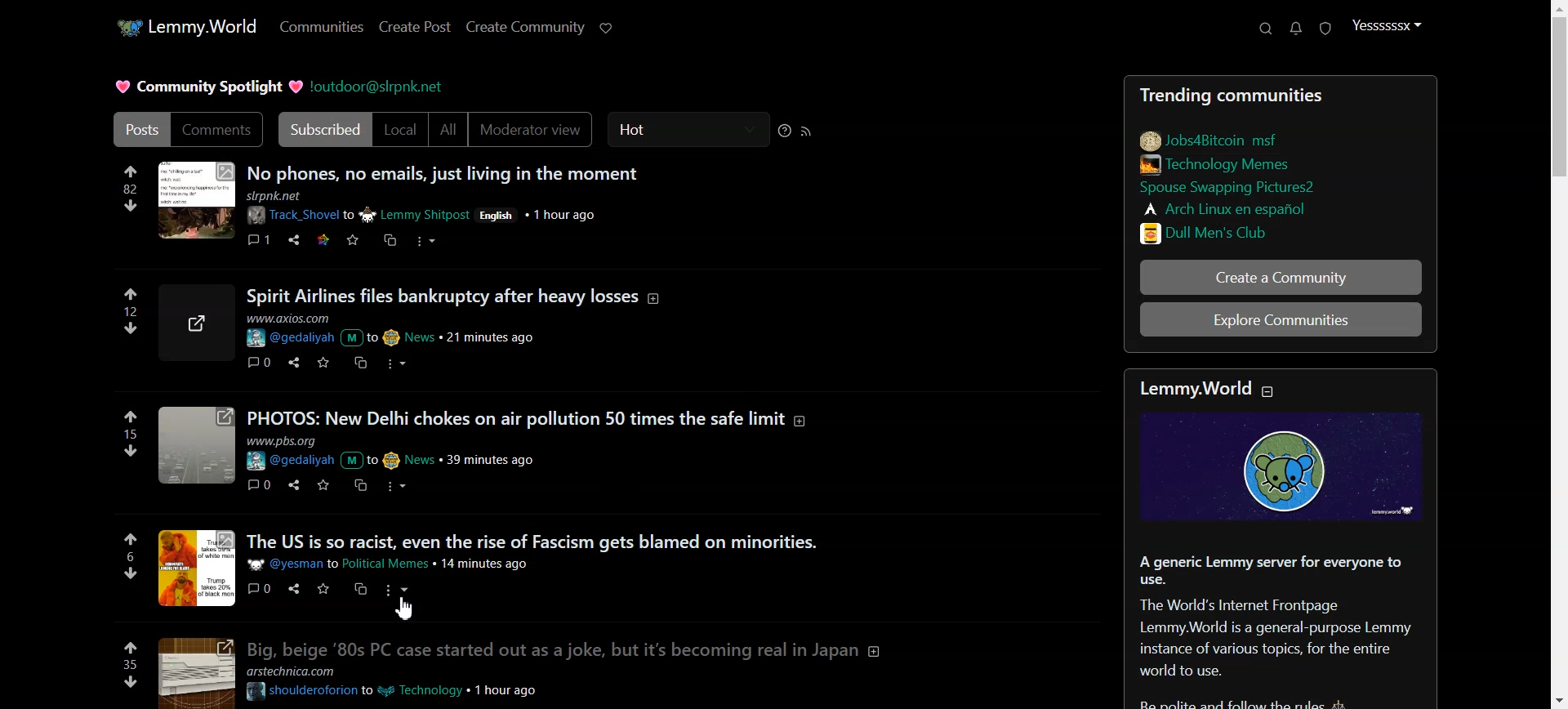 This screenshot has height=709, width=1568. What do you see at coordinates (323, 589) in the screenshot?
I see `save` at bounding box center [323, 589].